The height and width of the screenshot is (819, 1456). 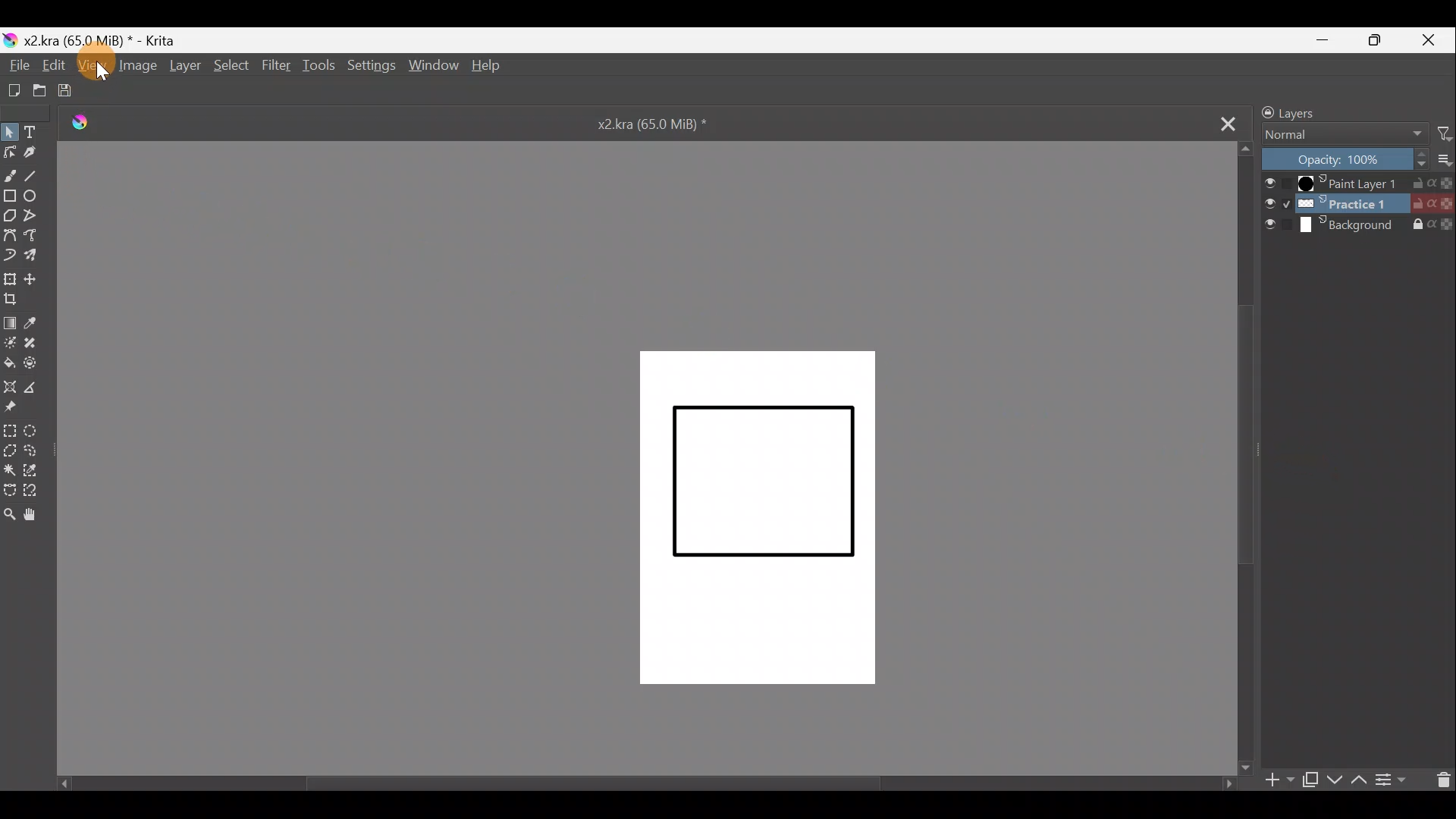 What do you see at coordinates (35, 196) in the screenshot?
I see `Ellipse tool` at bounding box center [35, 196].